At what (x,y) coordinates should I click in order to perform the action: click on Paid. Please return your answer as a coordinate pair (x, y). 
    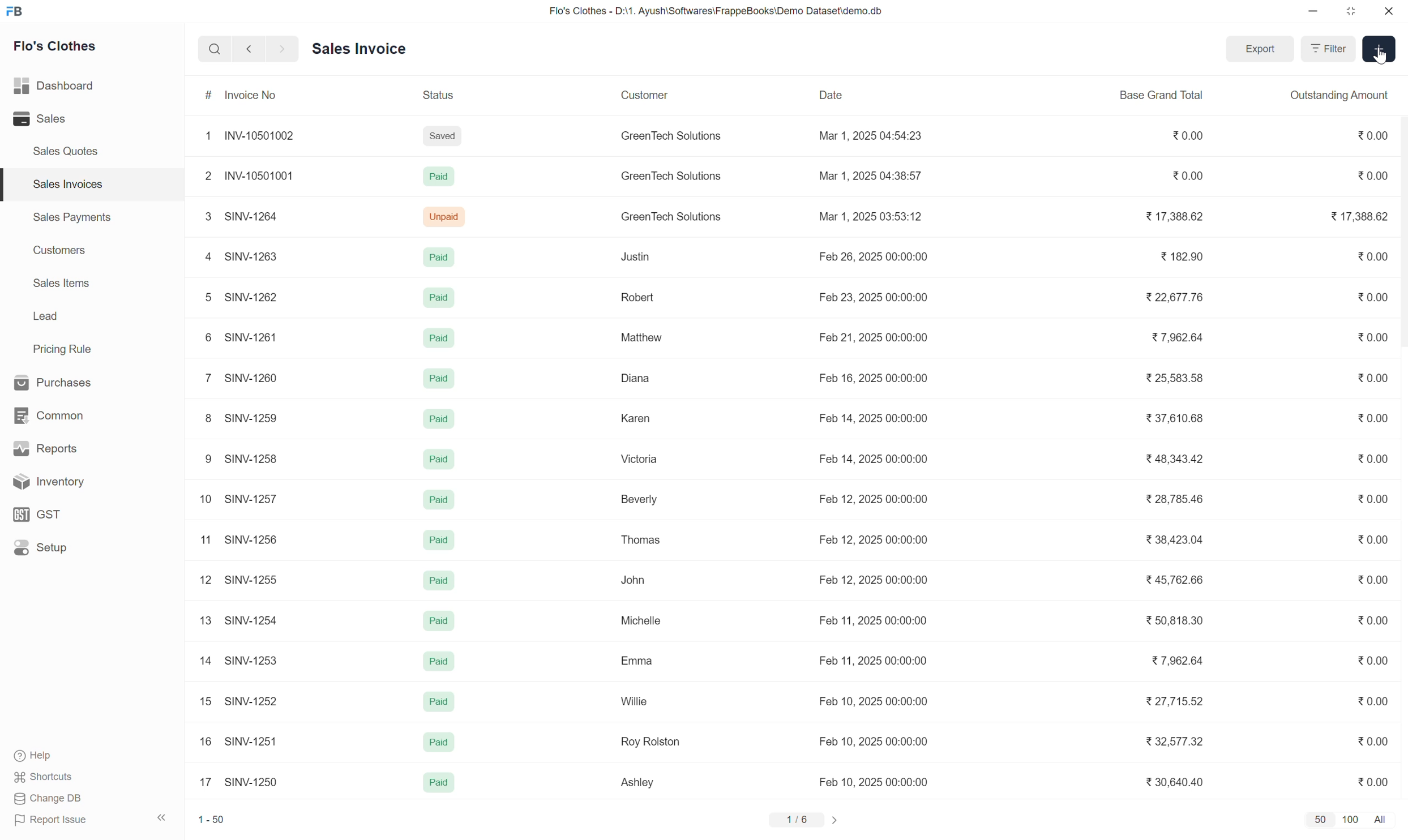
    Looking at the image, I should click on (436, 744).